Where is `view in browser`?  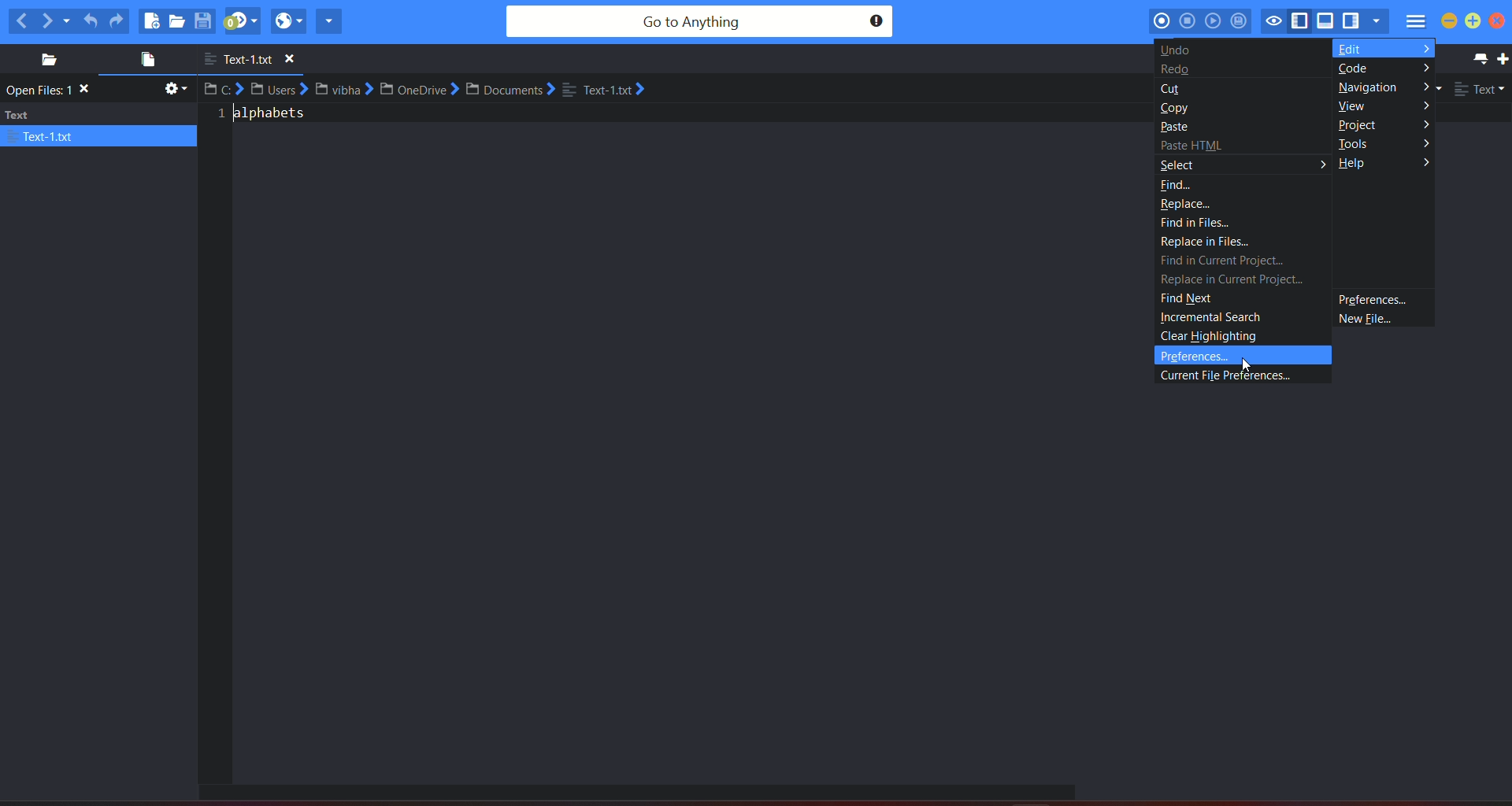
view in browser is located at coordinates (288, 20).